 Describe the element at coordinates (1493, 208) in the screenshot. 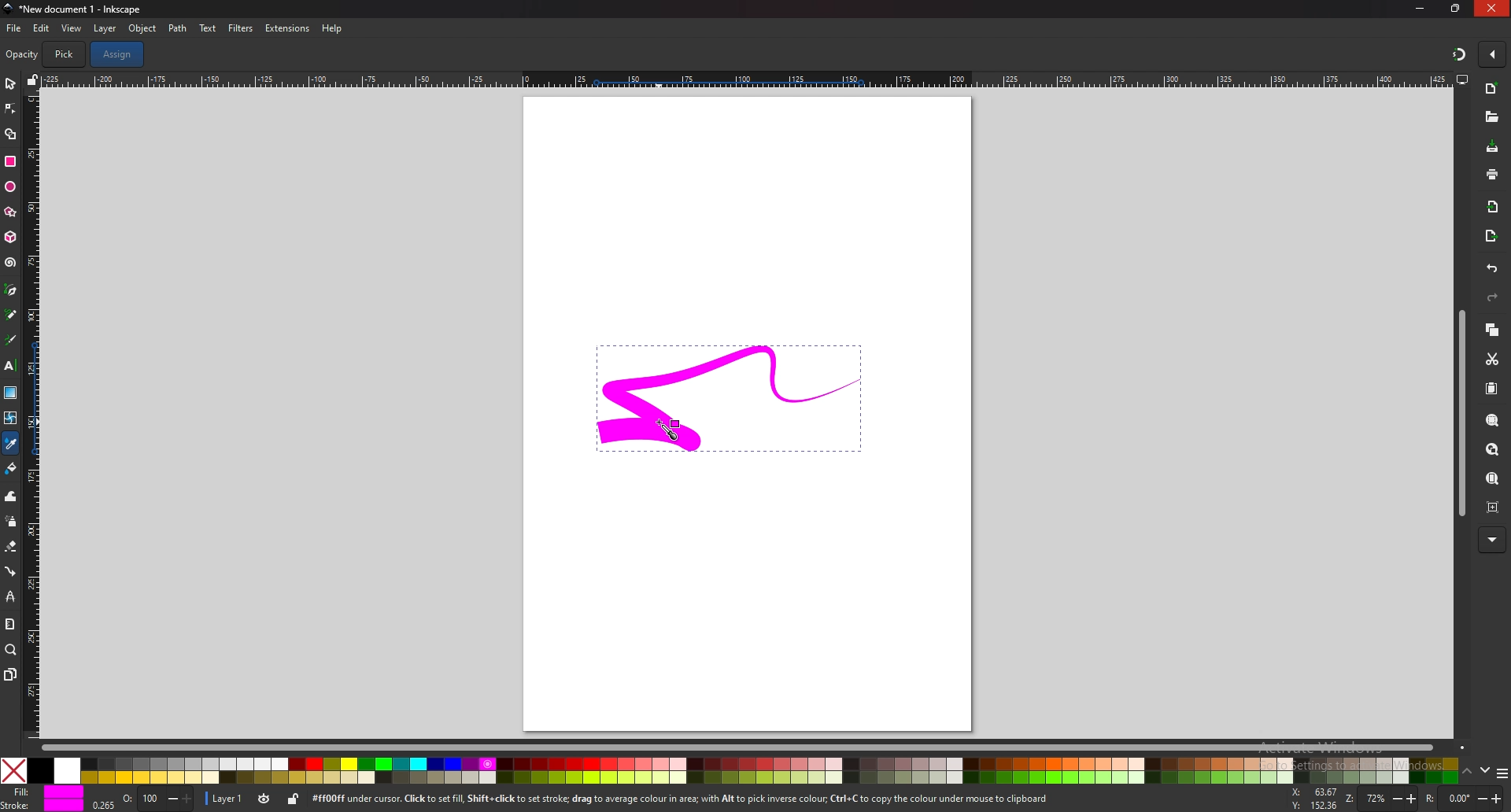

I see `import` at that location.